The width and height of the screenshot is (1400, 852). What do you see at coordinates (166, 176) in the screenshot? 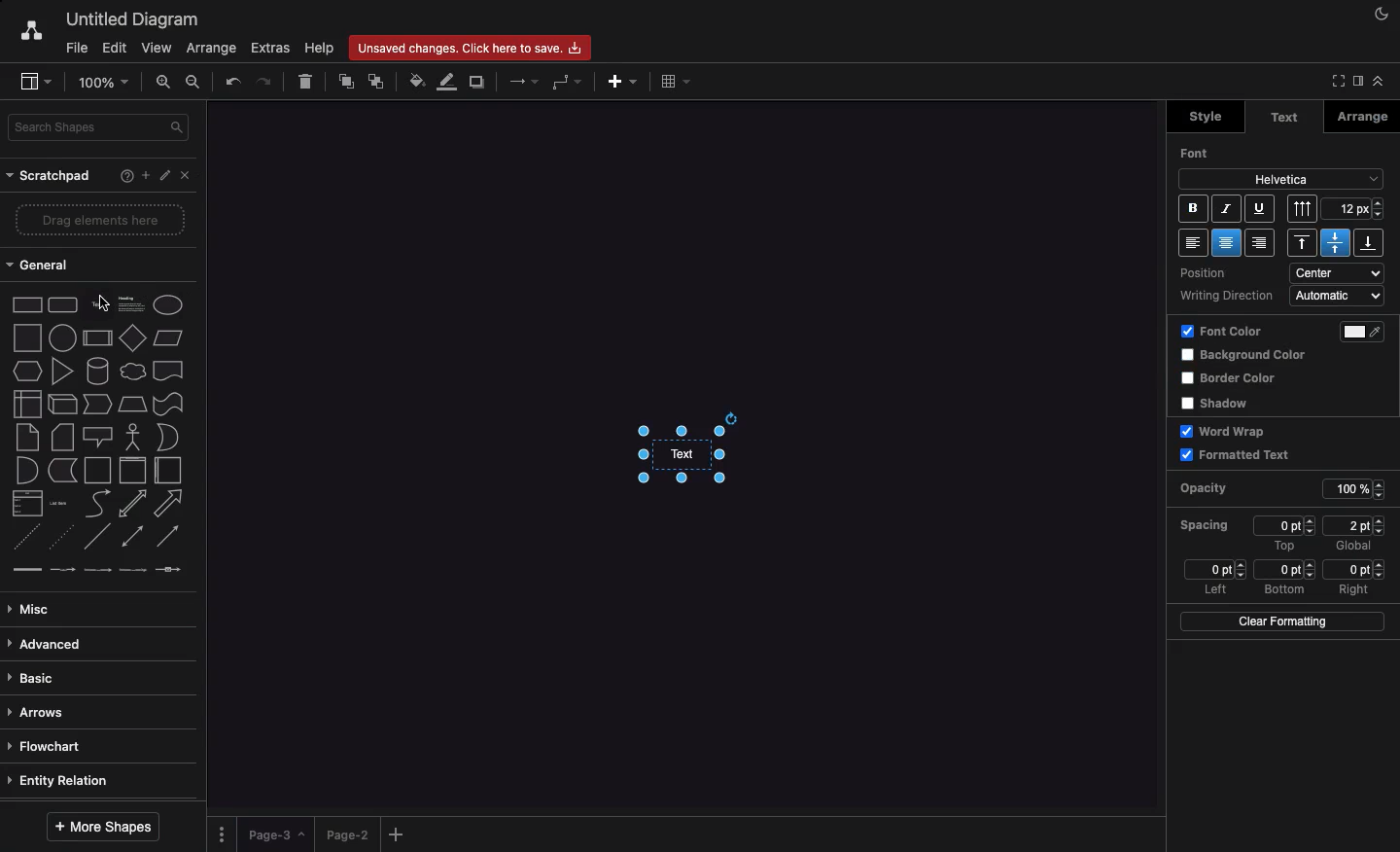
I see `Edit` at bounding box center [166, 176].